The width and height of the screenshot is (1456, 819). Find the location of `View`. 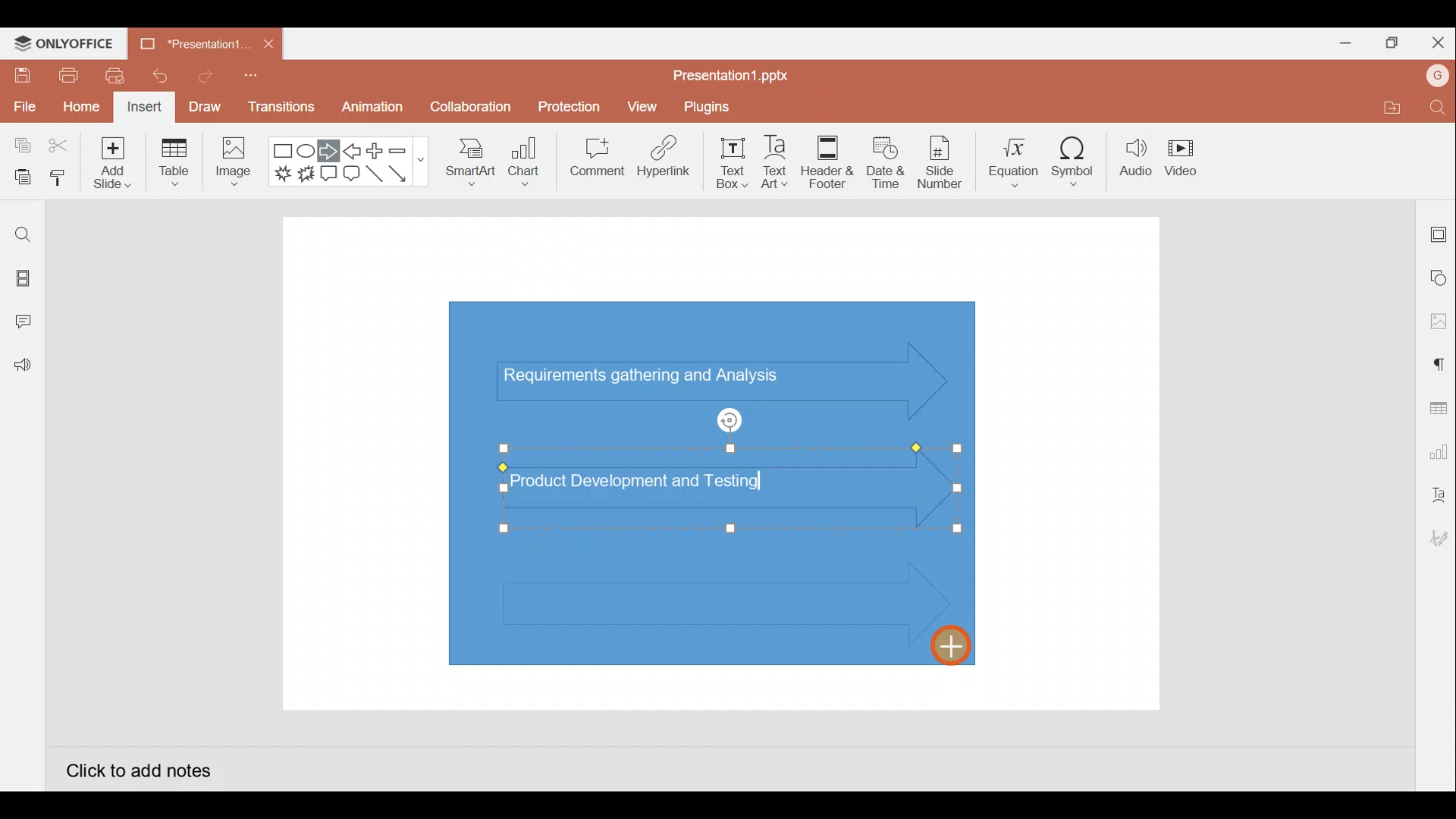

View is located at coordinates (645, 103).